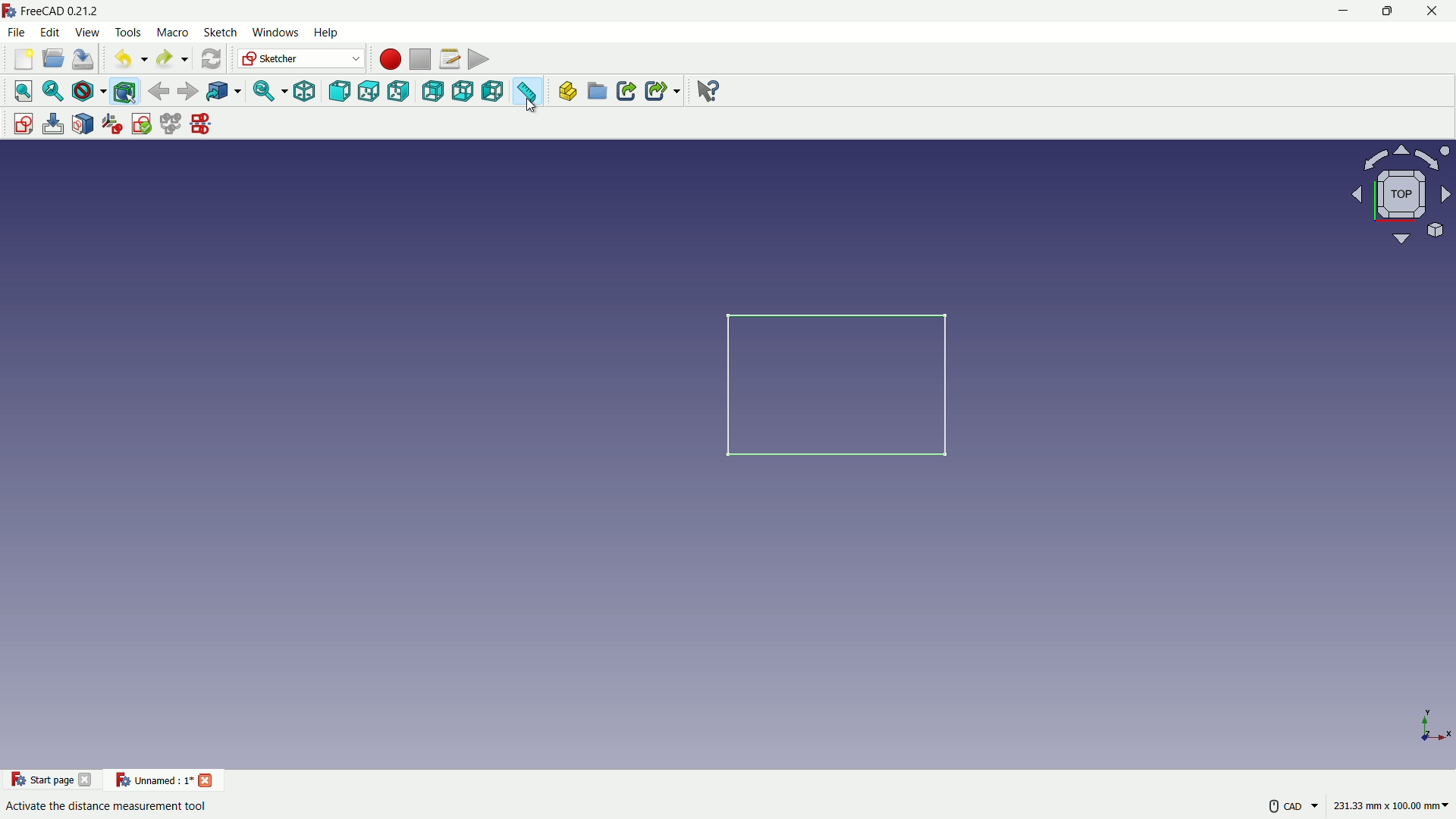 The image size is (1456, 819). What do you see at coordinates (52, 124) in the screenshot?
I see `edit sketch` at bounding box center [52, 124].